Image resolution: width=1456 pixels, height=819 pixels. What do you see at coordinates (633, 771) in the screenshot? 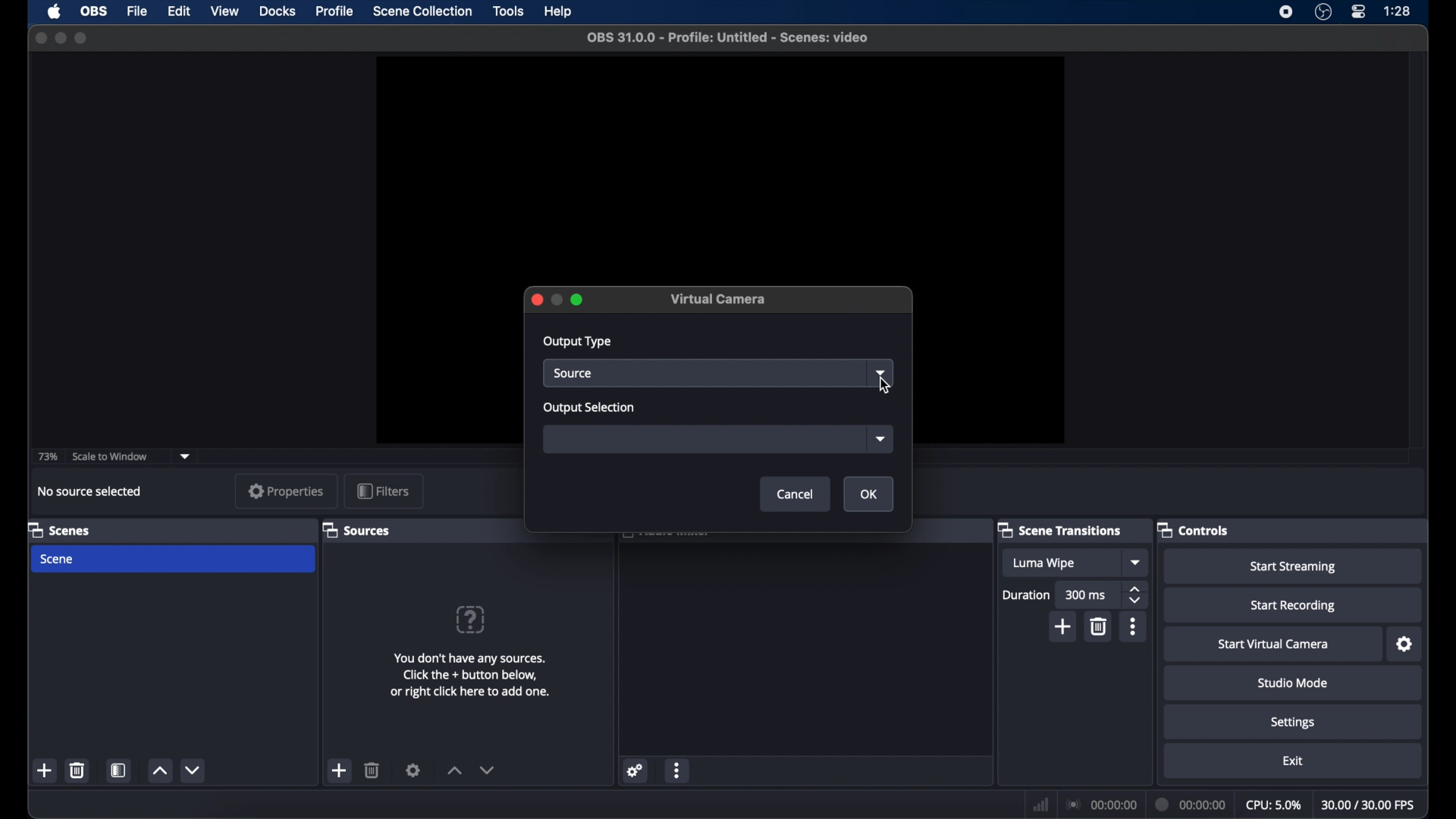
I see `settings` at bounding box center [633, 771].